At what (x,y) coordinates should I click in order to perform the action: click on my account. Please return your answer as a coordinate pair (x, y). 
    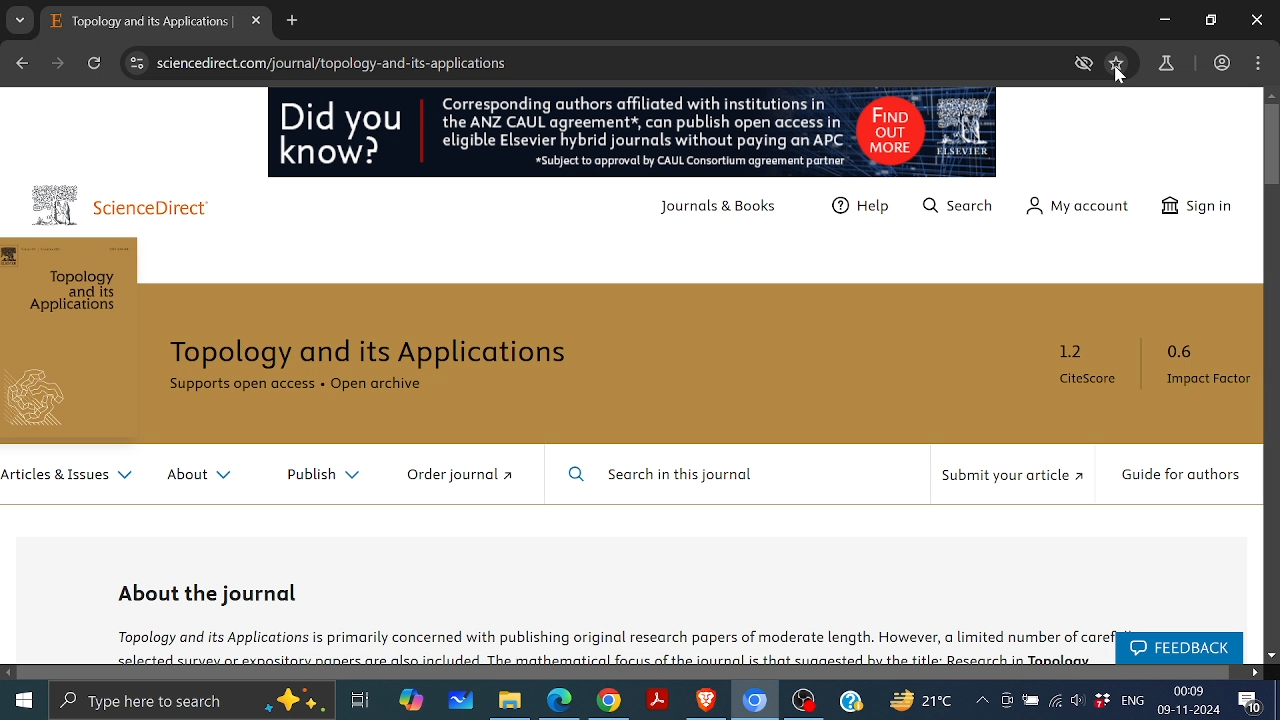
    Looking at the image, I should click on (1080, 207).